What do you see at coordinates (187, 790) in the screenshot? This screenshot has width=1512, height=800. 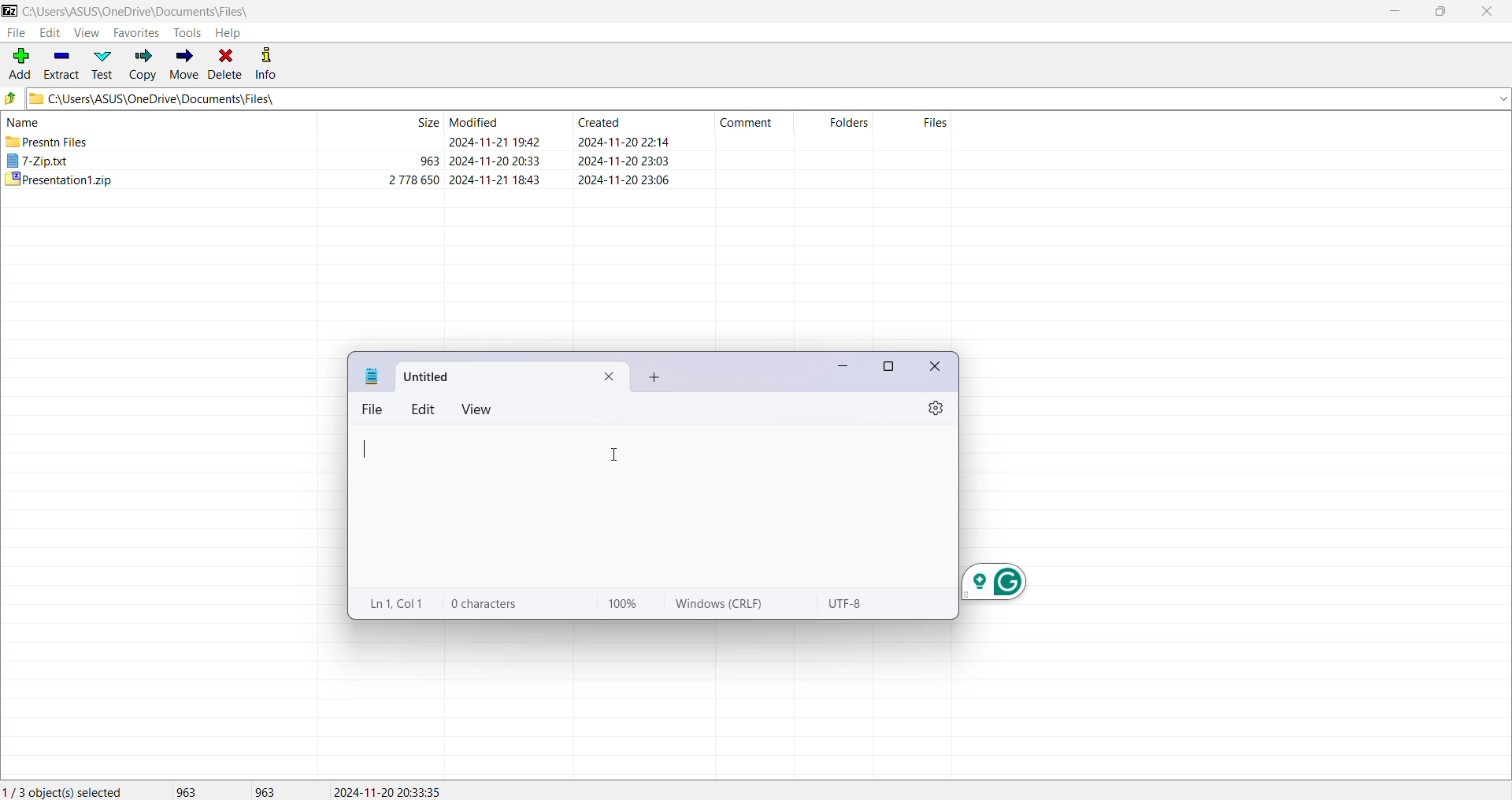 I see `Total Size of selected file(s)` at bounding box center [187, 790].